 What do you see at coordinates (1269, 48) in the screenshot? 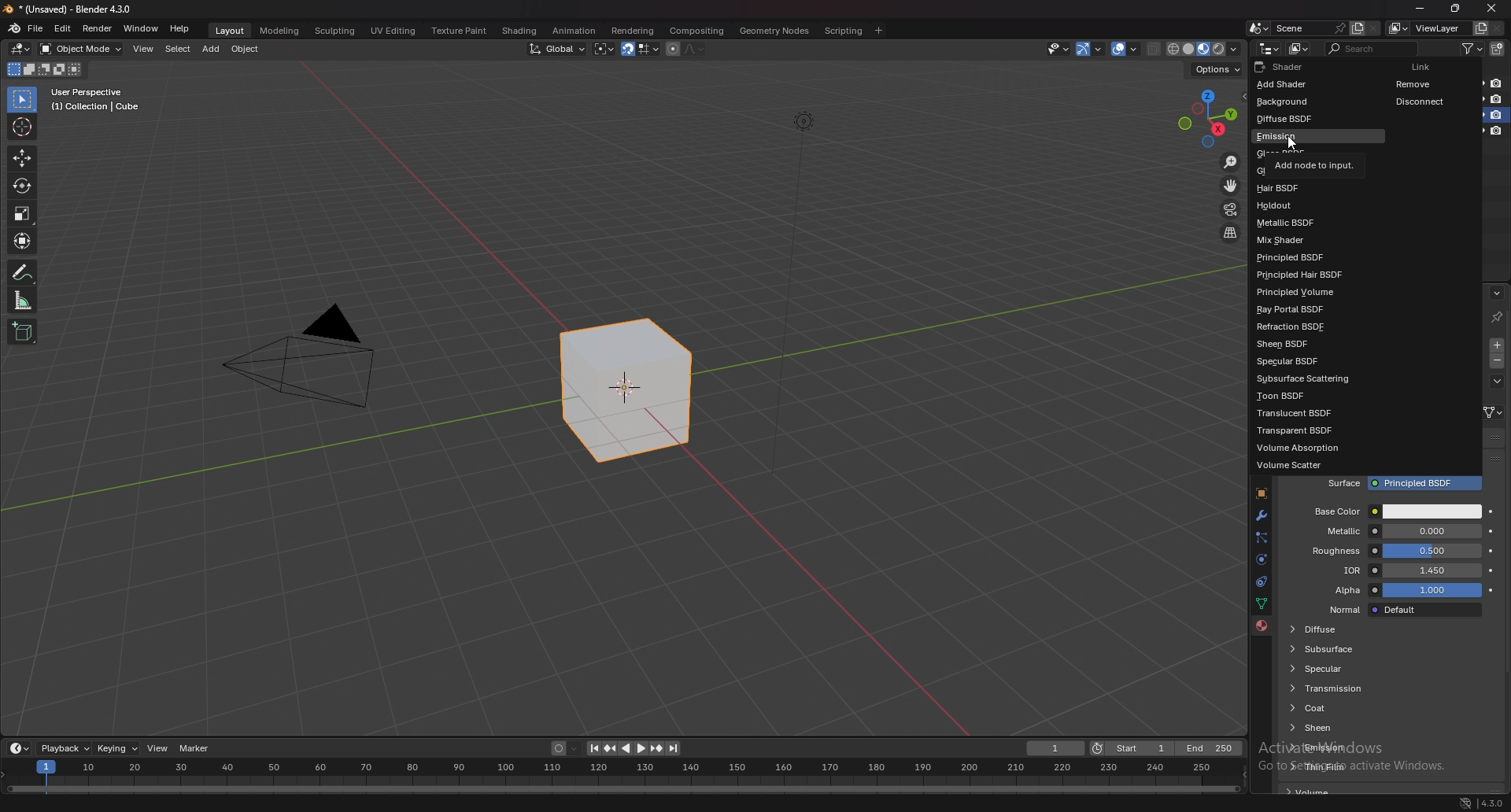
I see `editor type` at bounding box center [1269, 48].